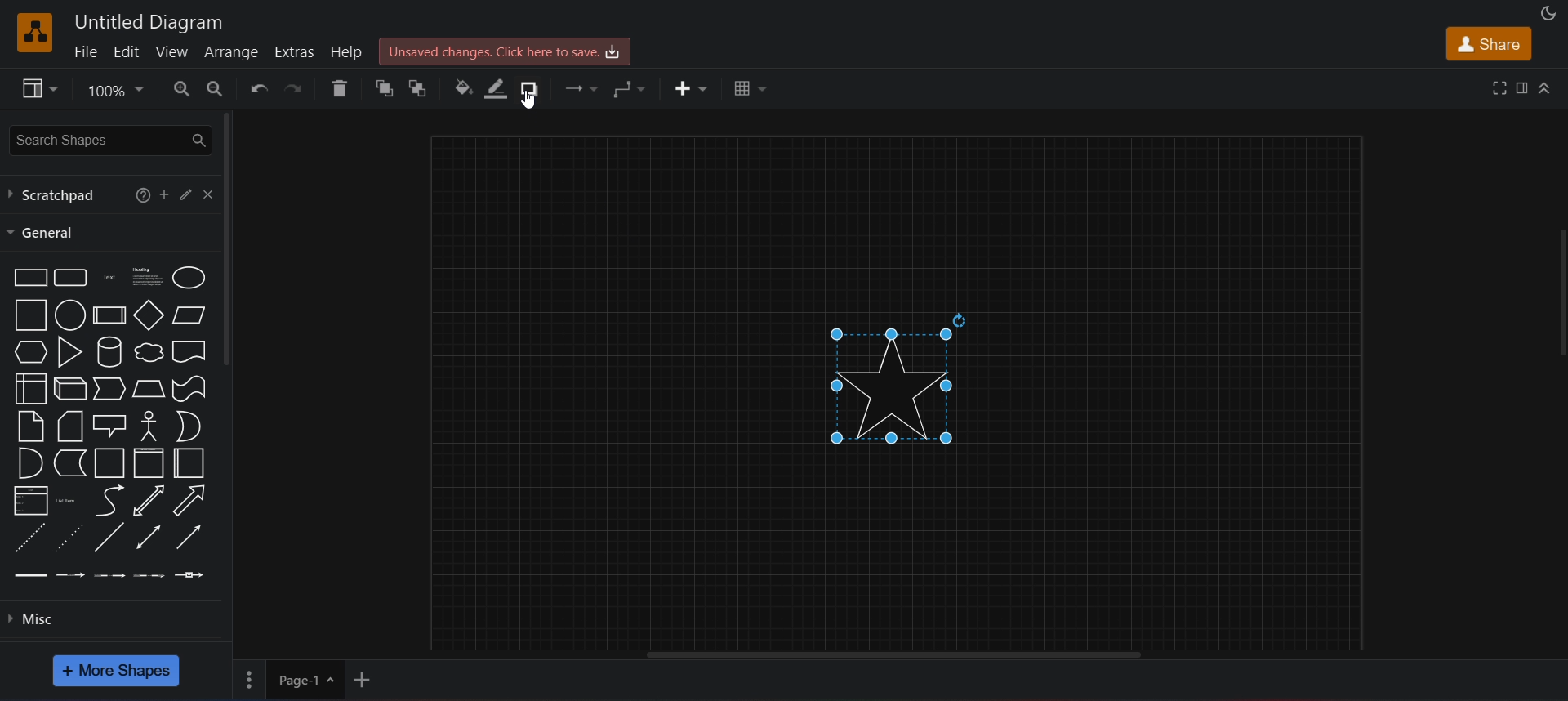 Image resolution: width=1568 pixels, height=701 pixels. What do you see at coordinates (114, 621) in the screenshot?
I see `misc` at bounding box center [114, 621].